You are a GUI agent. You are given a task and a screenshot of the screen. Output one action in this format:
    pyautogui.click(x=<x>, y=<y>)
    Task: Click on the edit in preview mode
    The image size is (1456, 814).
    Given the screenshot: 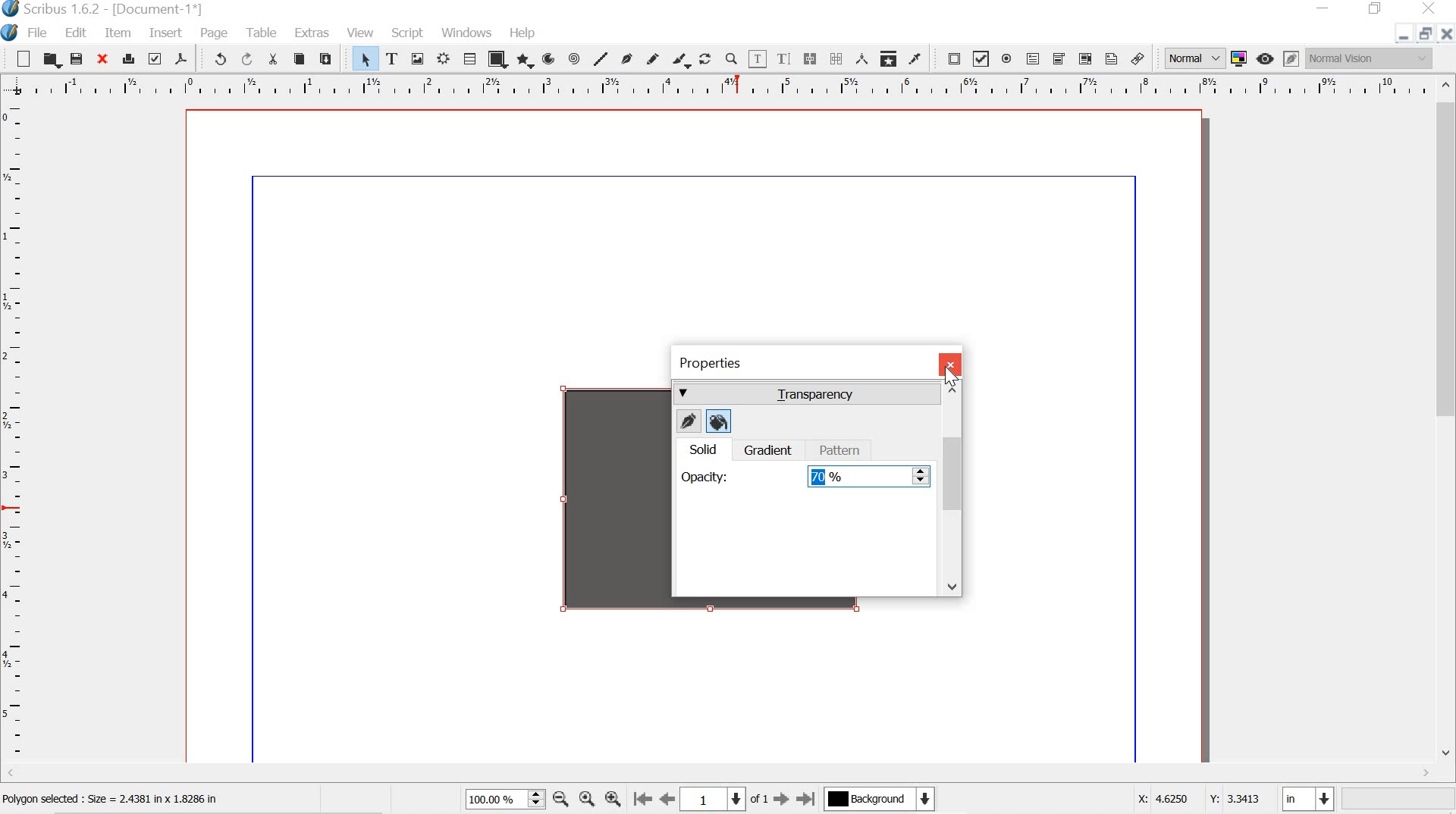 What is the action you would take?
    pyautogui.click(x=1291, y=57)
    